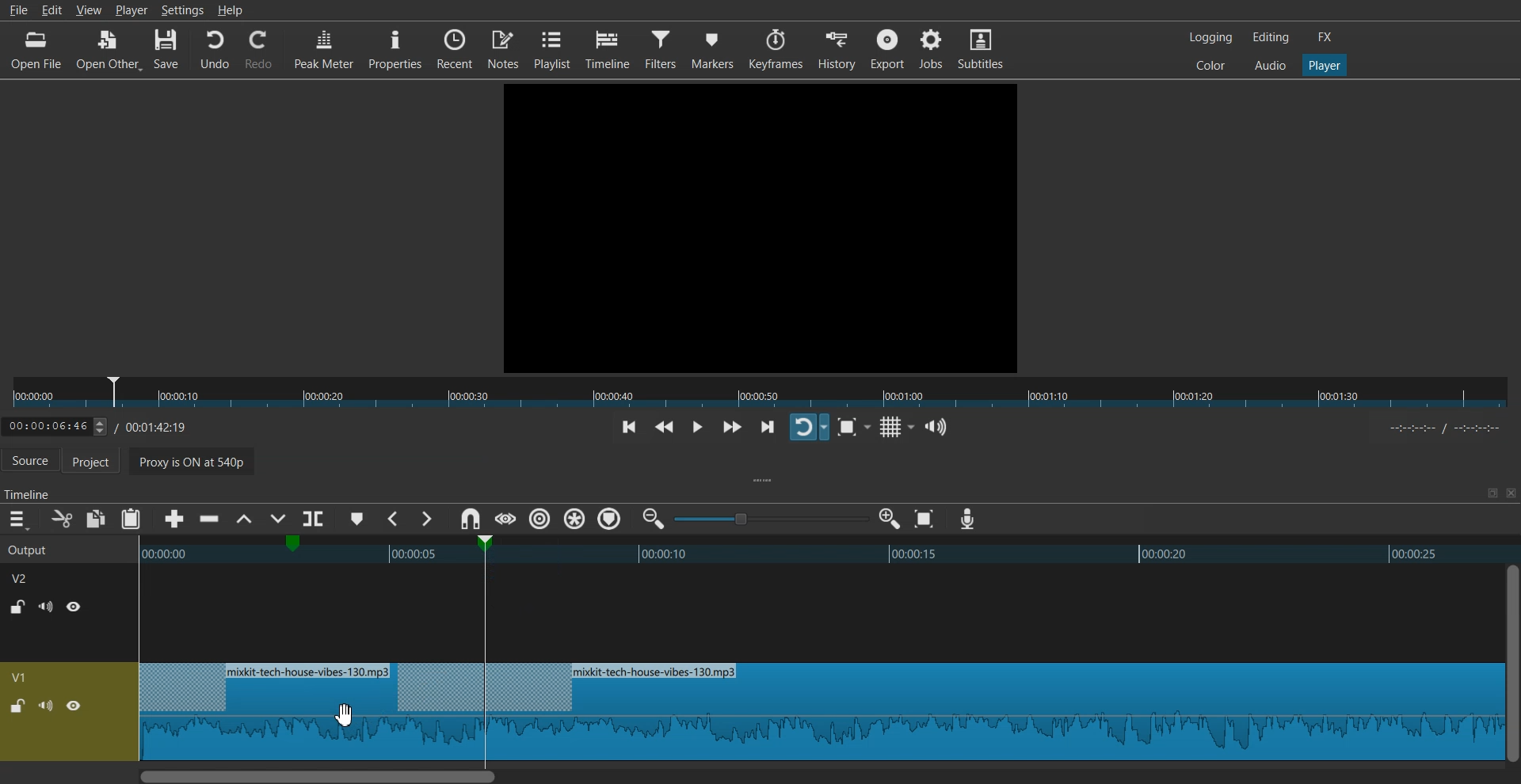  I want to click on Mute, so click(46, 607).